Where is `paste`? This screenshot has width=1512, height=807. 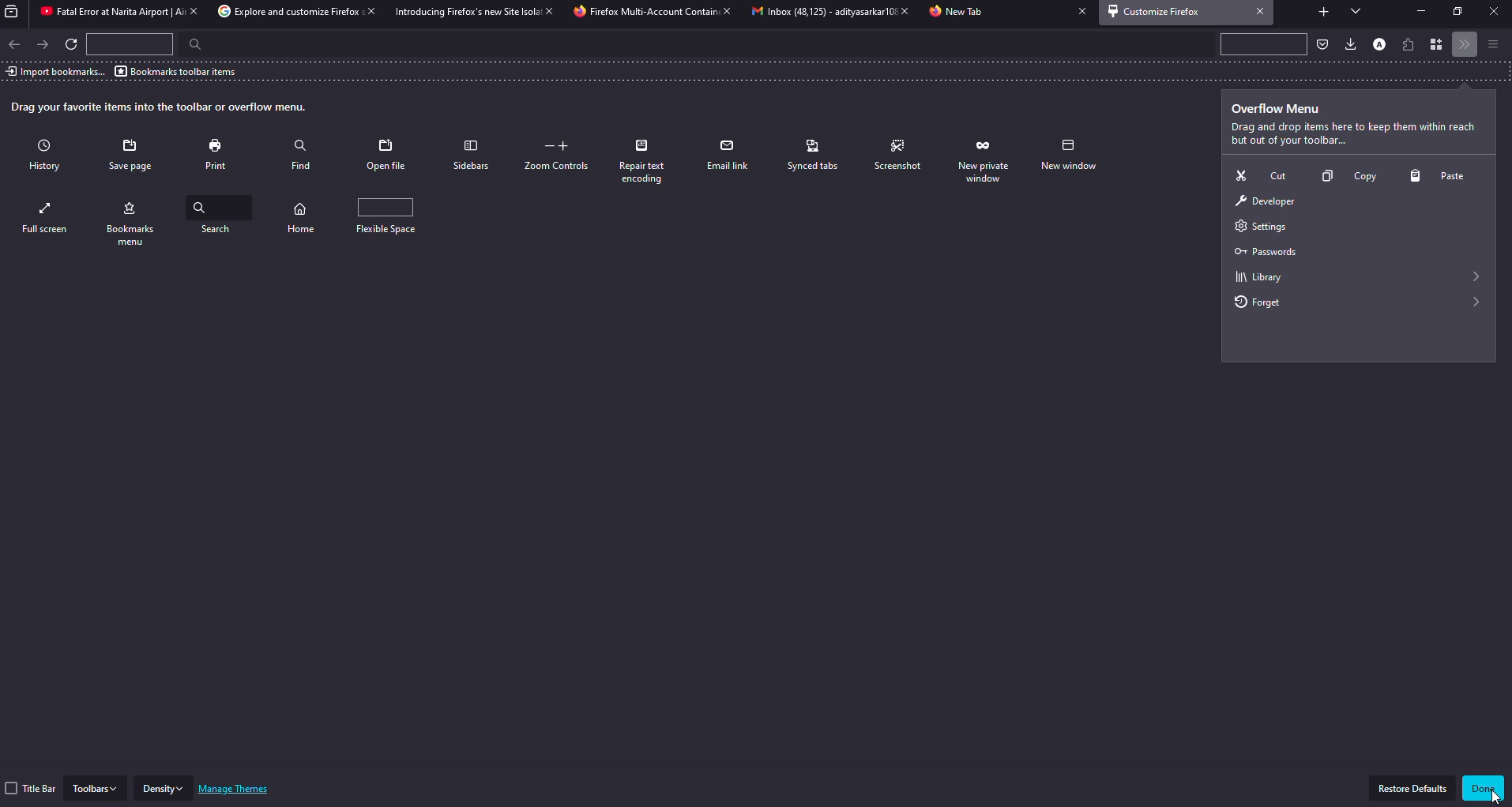 paste is located at coordinates (1442, 176).